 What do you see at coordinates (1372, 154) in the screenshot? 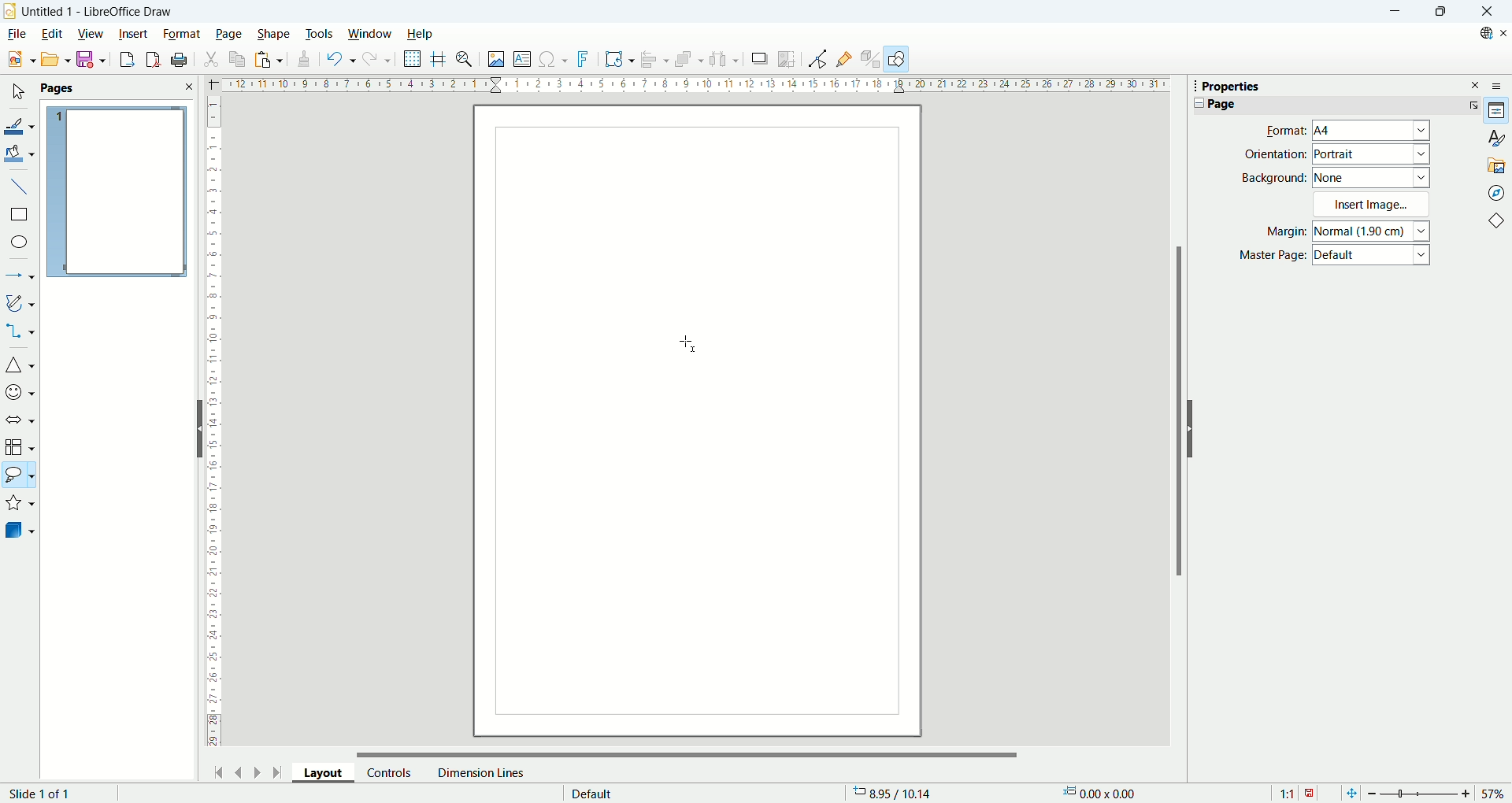
I see `Portrait` at bounding box center [1372, 154].